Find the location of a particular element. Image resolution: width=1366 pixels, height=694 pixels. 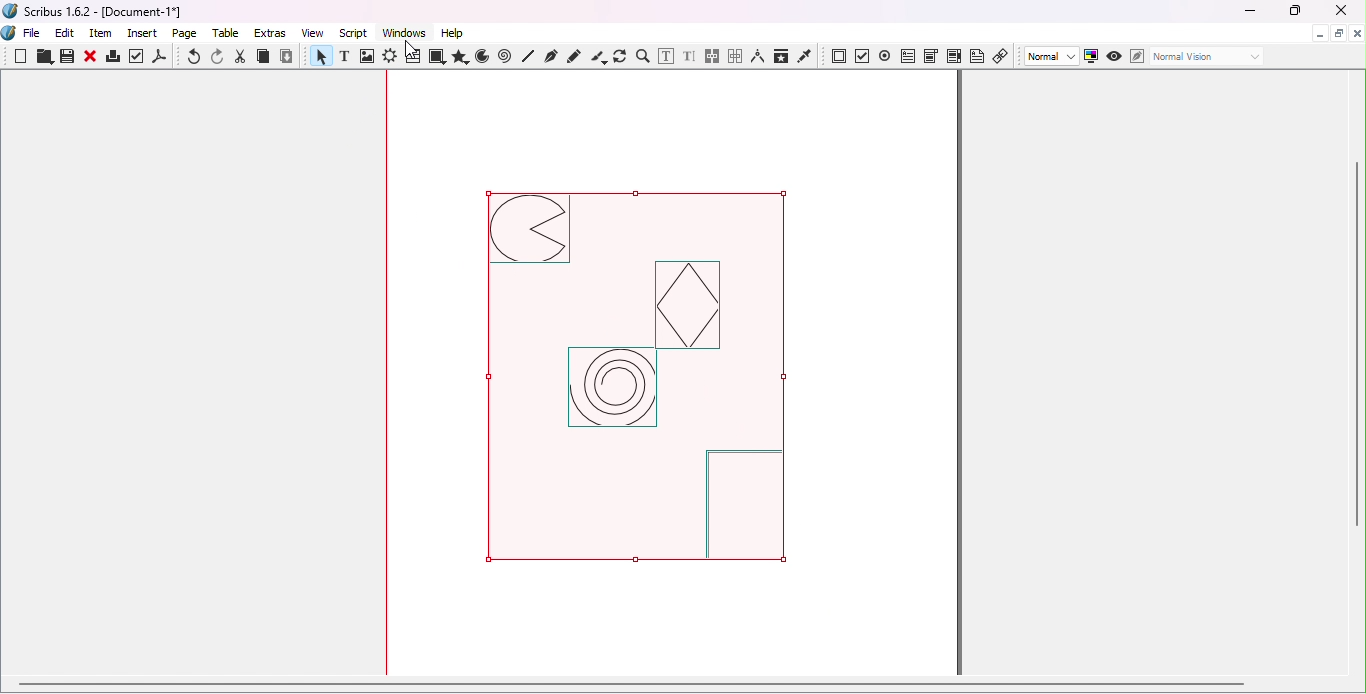

Undo is located at coordinates (195, 58).